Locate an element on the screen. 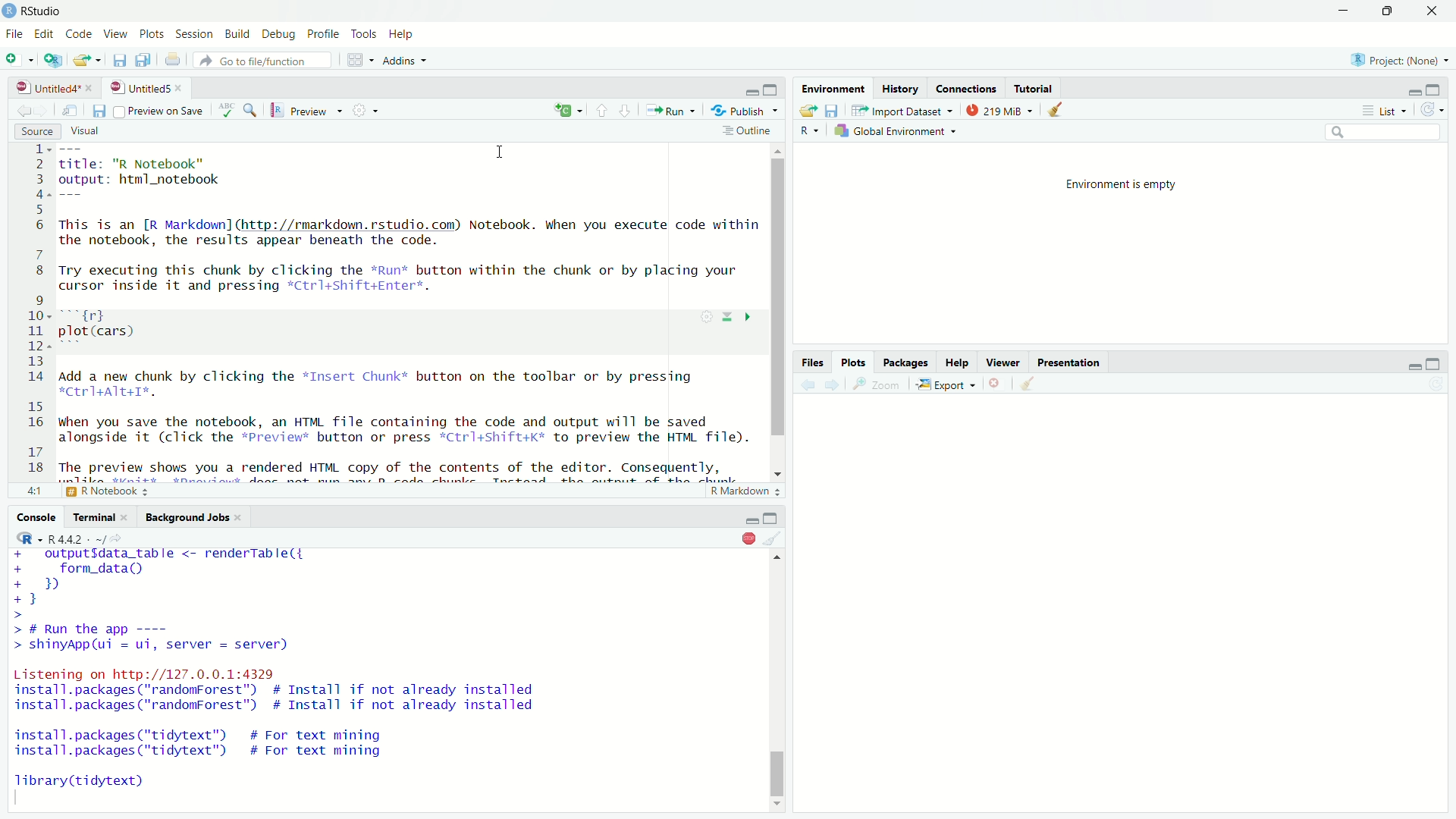 The width and height of the screenshot is (1456, 819). select project is located at coordinates (1400, 59).